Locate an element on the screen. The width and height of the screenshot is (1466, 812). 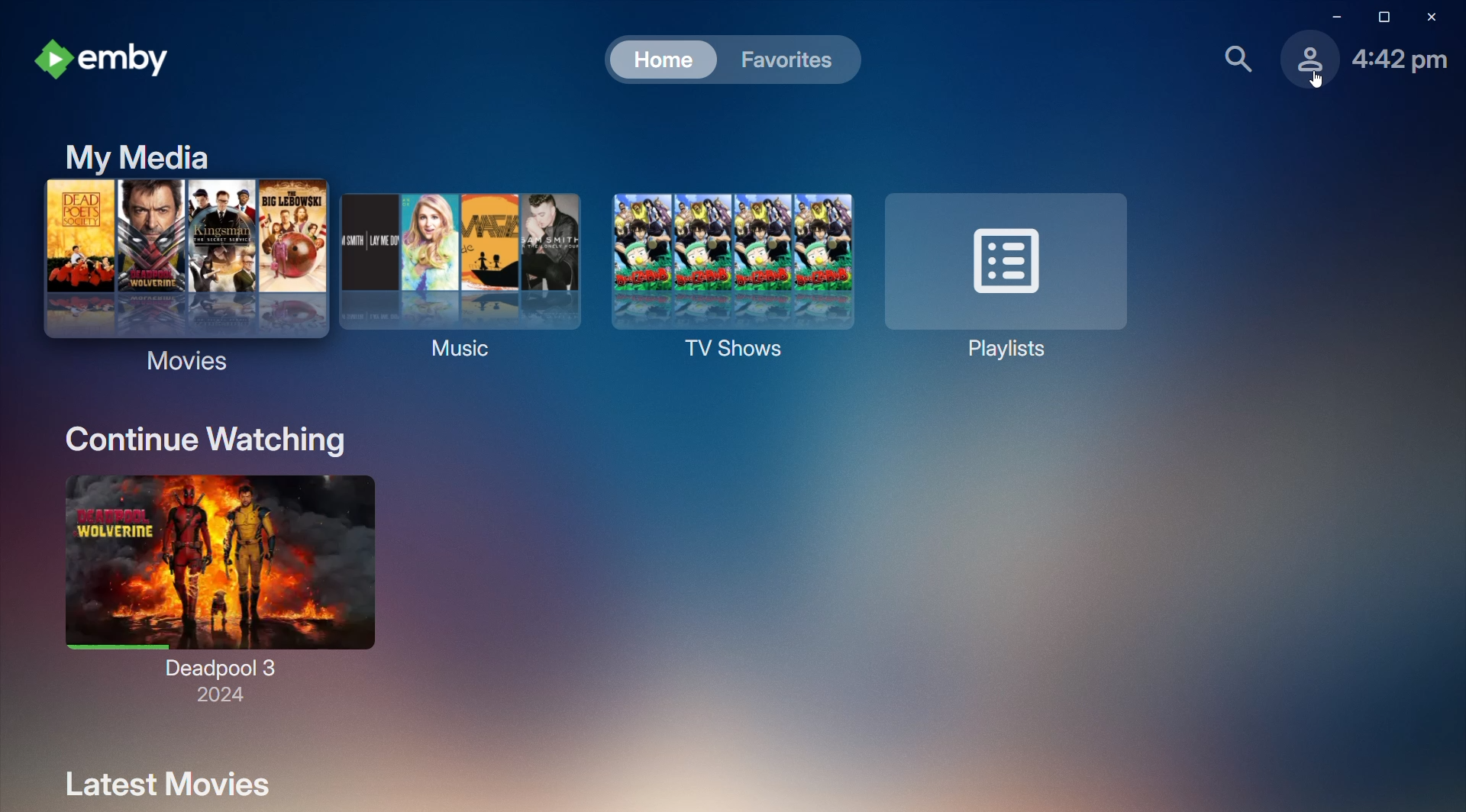
Music is located at coordinates (460, 275).